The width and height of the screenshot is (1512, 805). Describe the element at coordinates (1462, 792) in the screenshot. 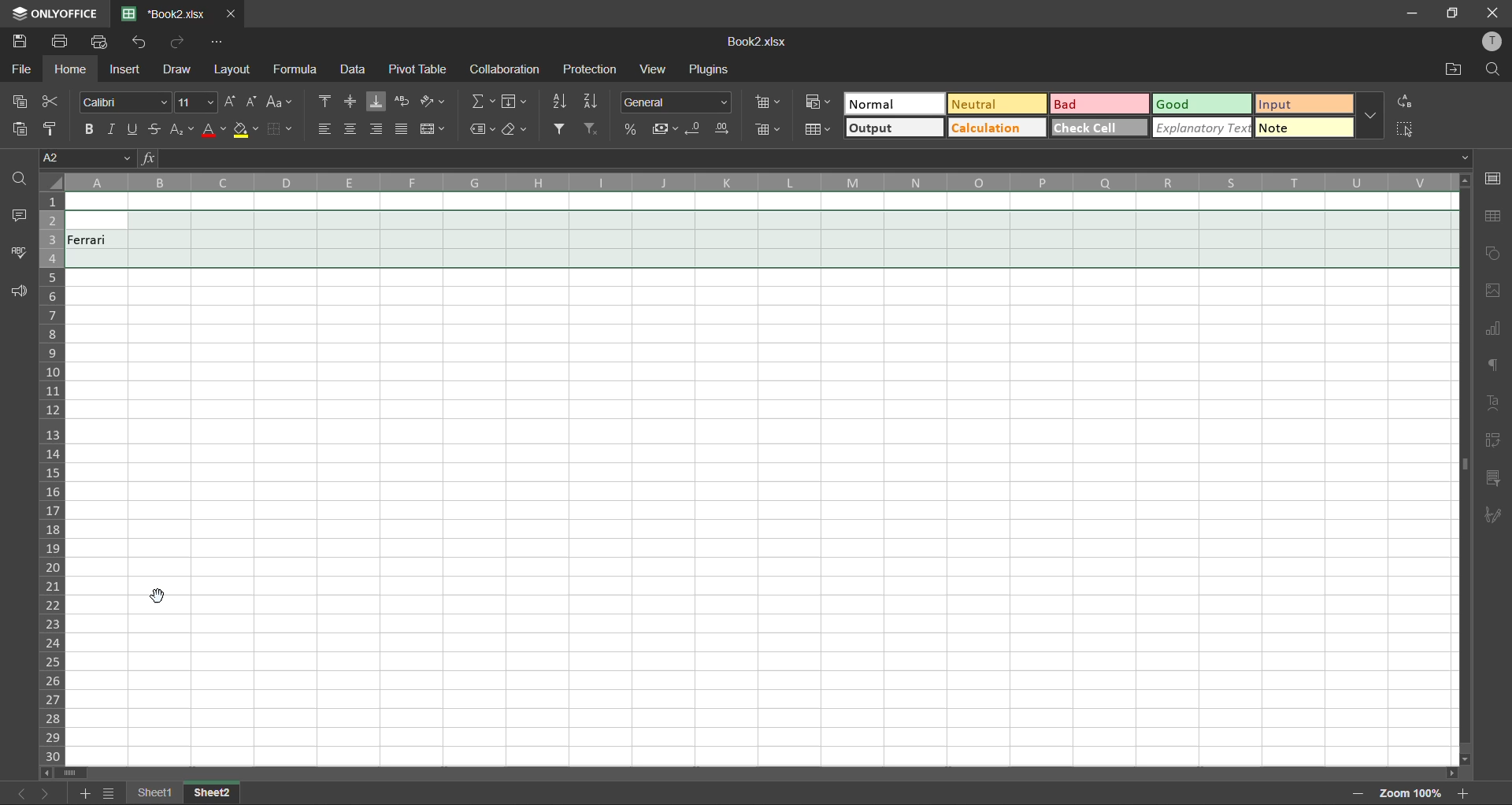

I see `zoom in` at that location.